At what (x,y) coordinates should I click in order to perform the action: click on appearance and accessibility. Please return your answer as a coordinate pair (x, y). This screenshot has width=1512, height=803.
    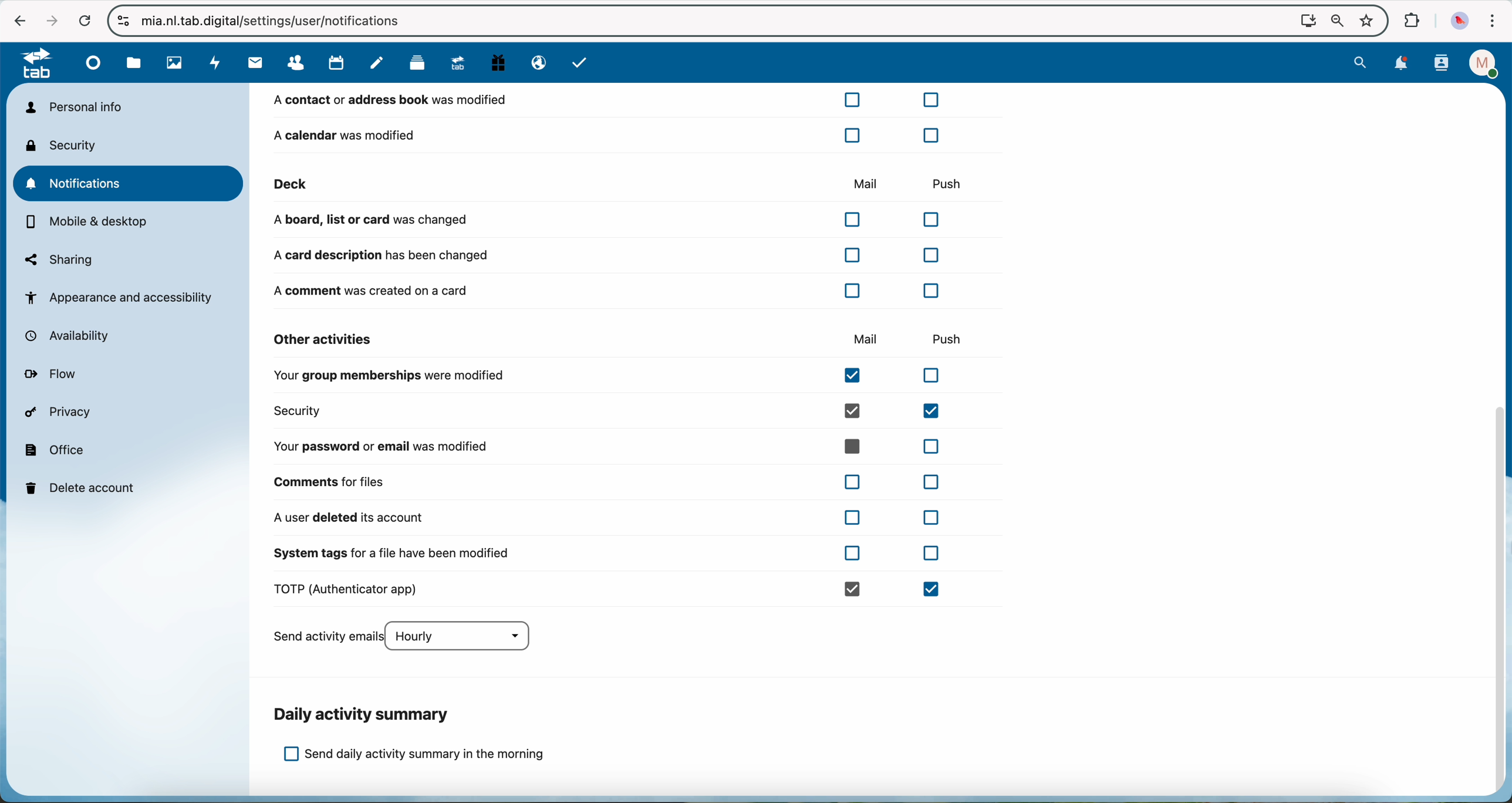
    Looking at the image, I should click on (121, 297).